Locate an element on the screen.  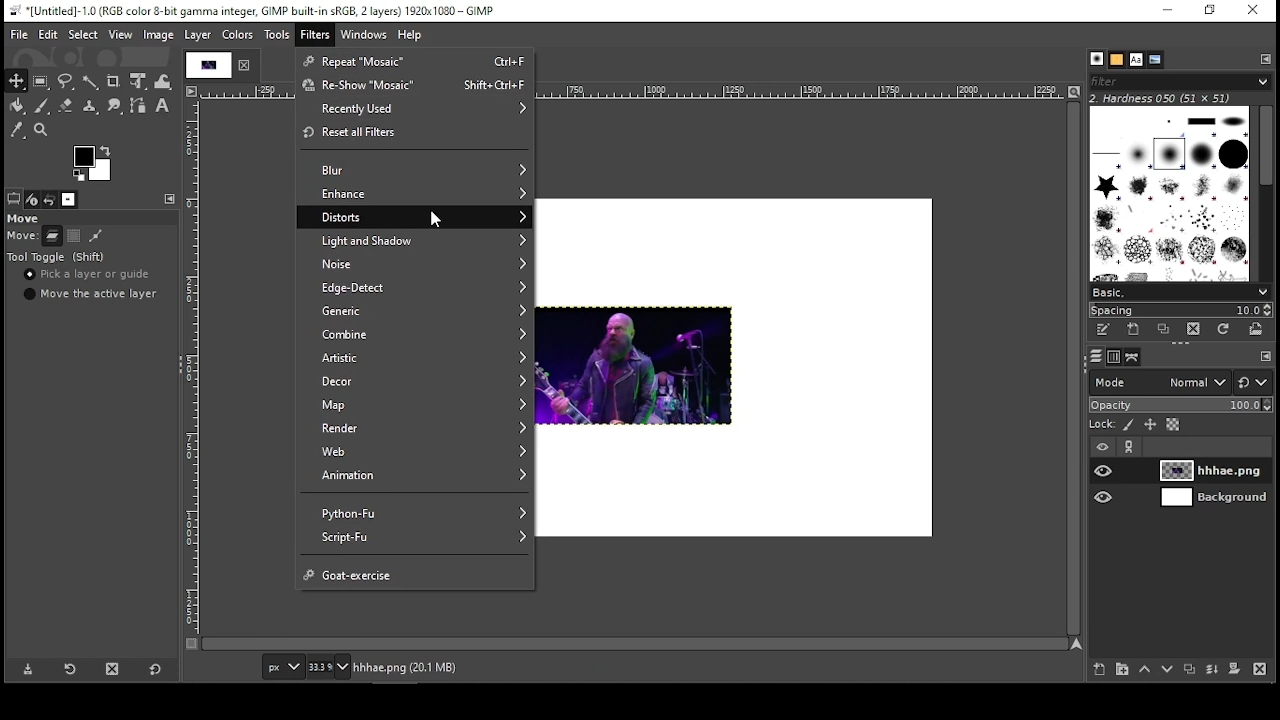
paint bucket tool is located at coordinates (19, 106).